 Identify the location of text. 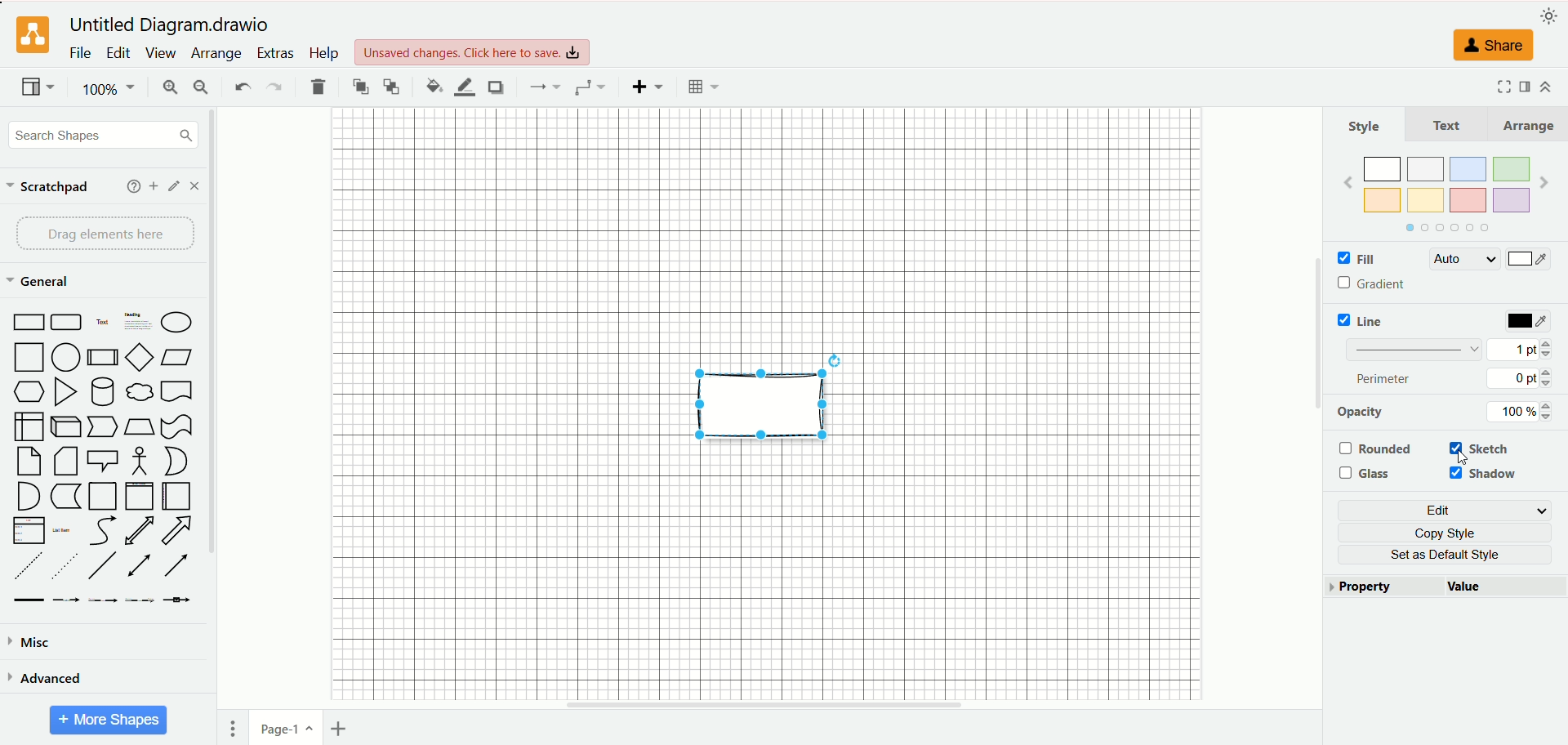
(1447, 124).